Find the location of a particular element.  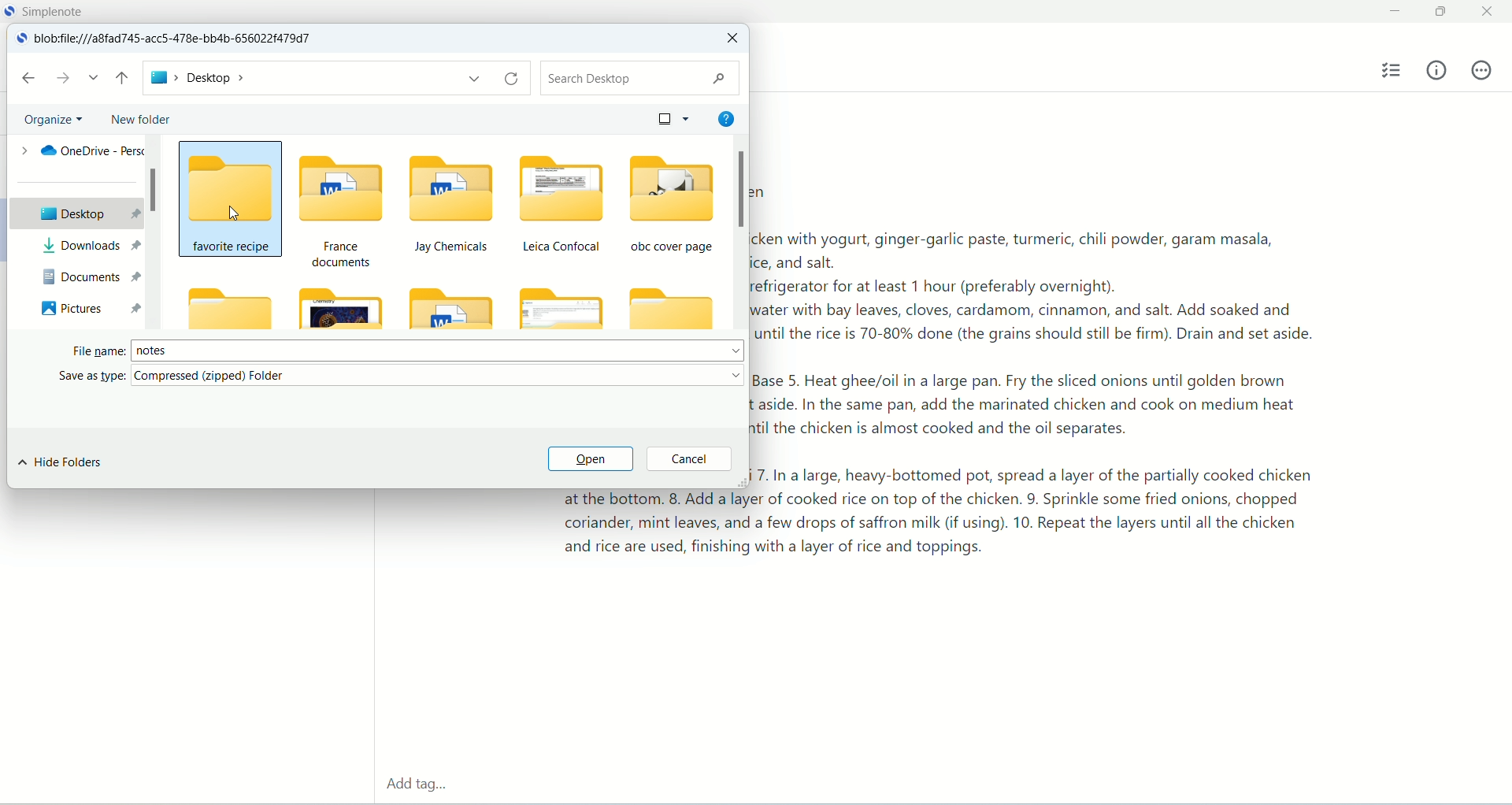

vertical scroll bar is located at coordinates (738, 236).